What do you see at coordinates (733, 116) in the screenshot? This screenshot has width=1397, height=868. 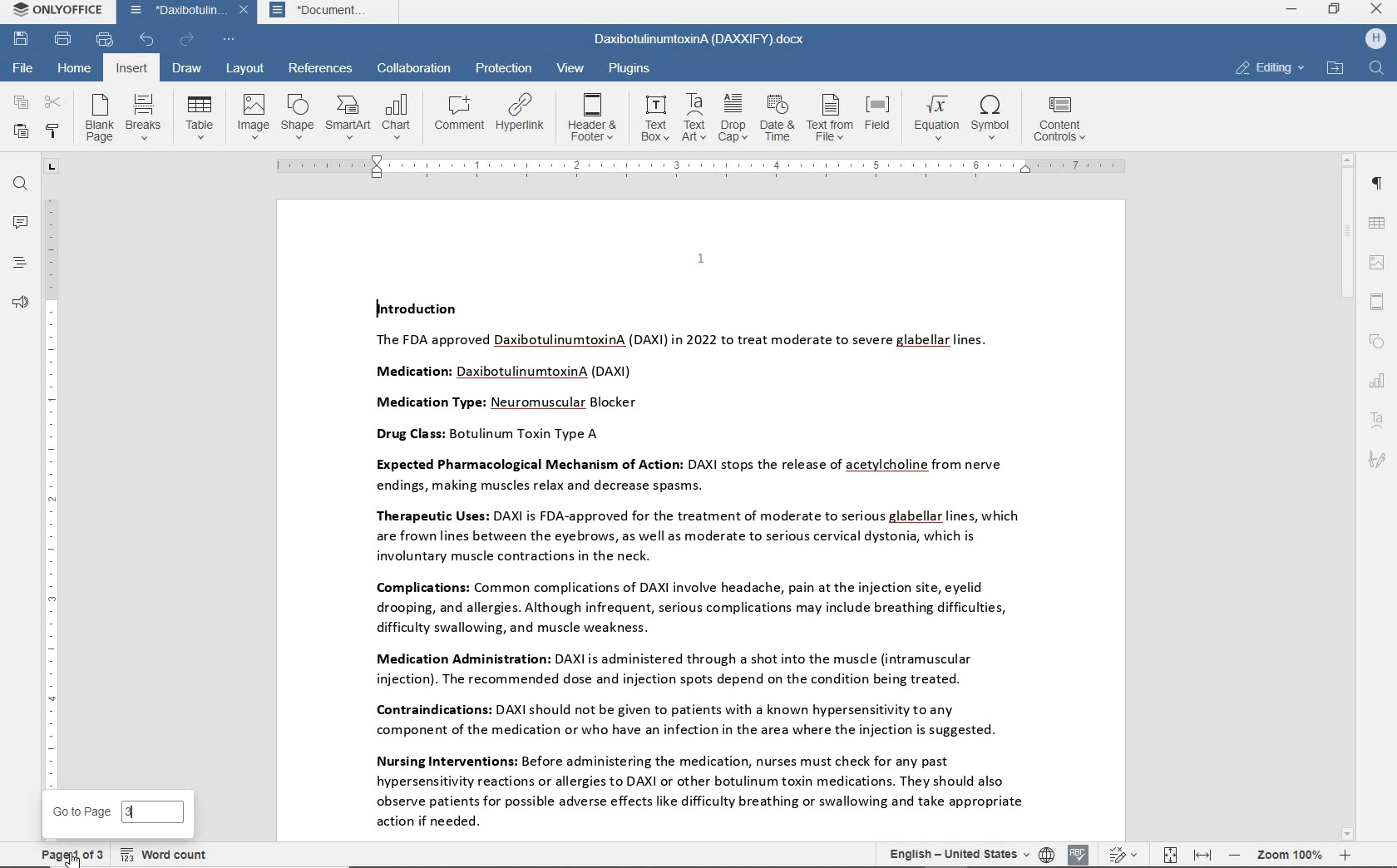 I see `drop cap` at bounding box center [733, 116].